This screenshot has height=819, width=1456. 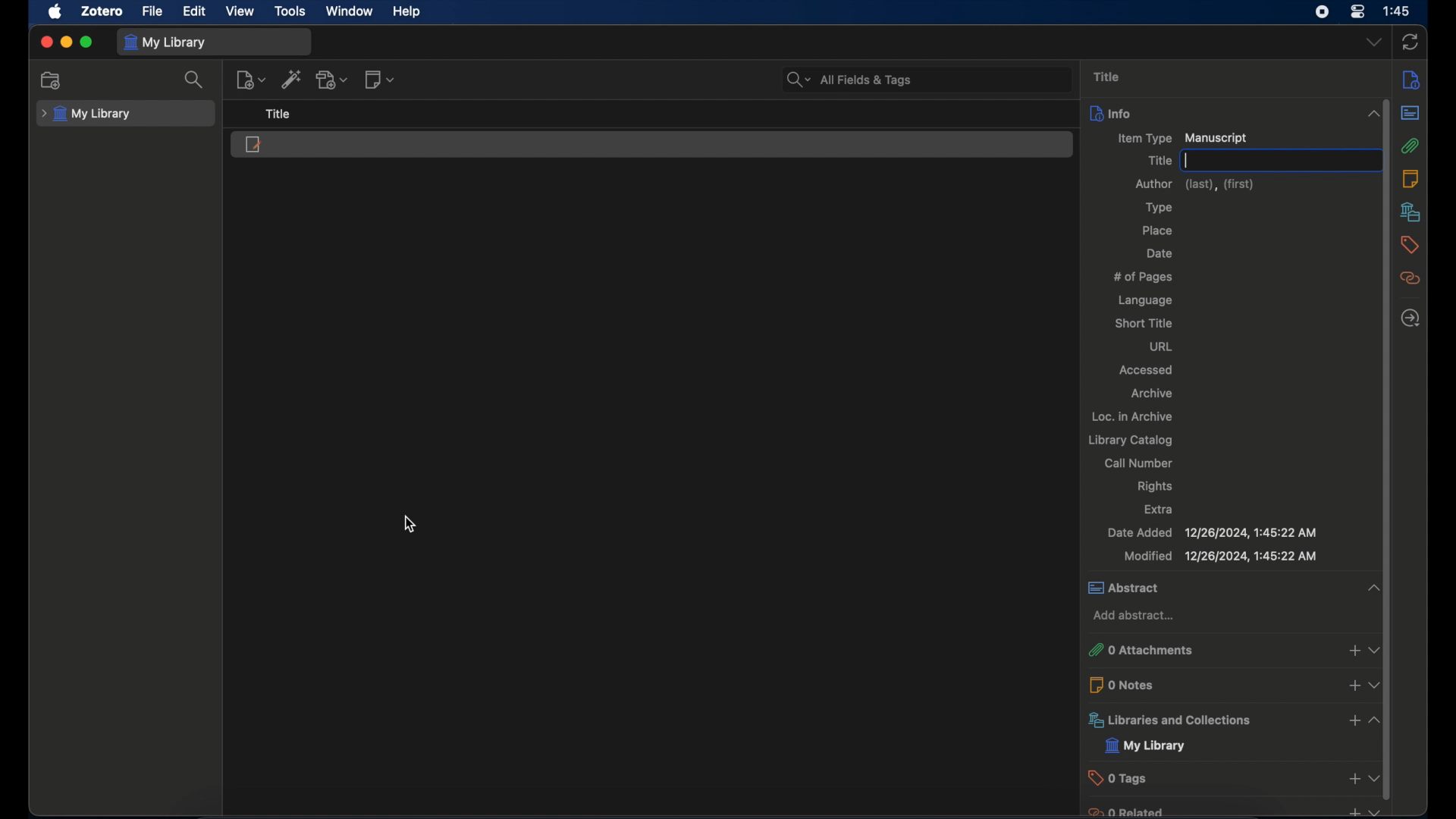 What do you see at coordinates (1197, 184) in the screenshot?
I see `author (last), (first)` at bounding box center [1197, 184].